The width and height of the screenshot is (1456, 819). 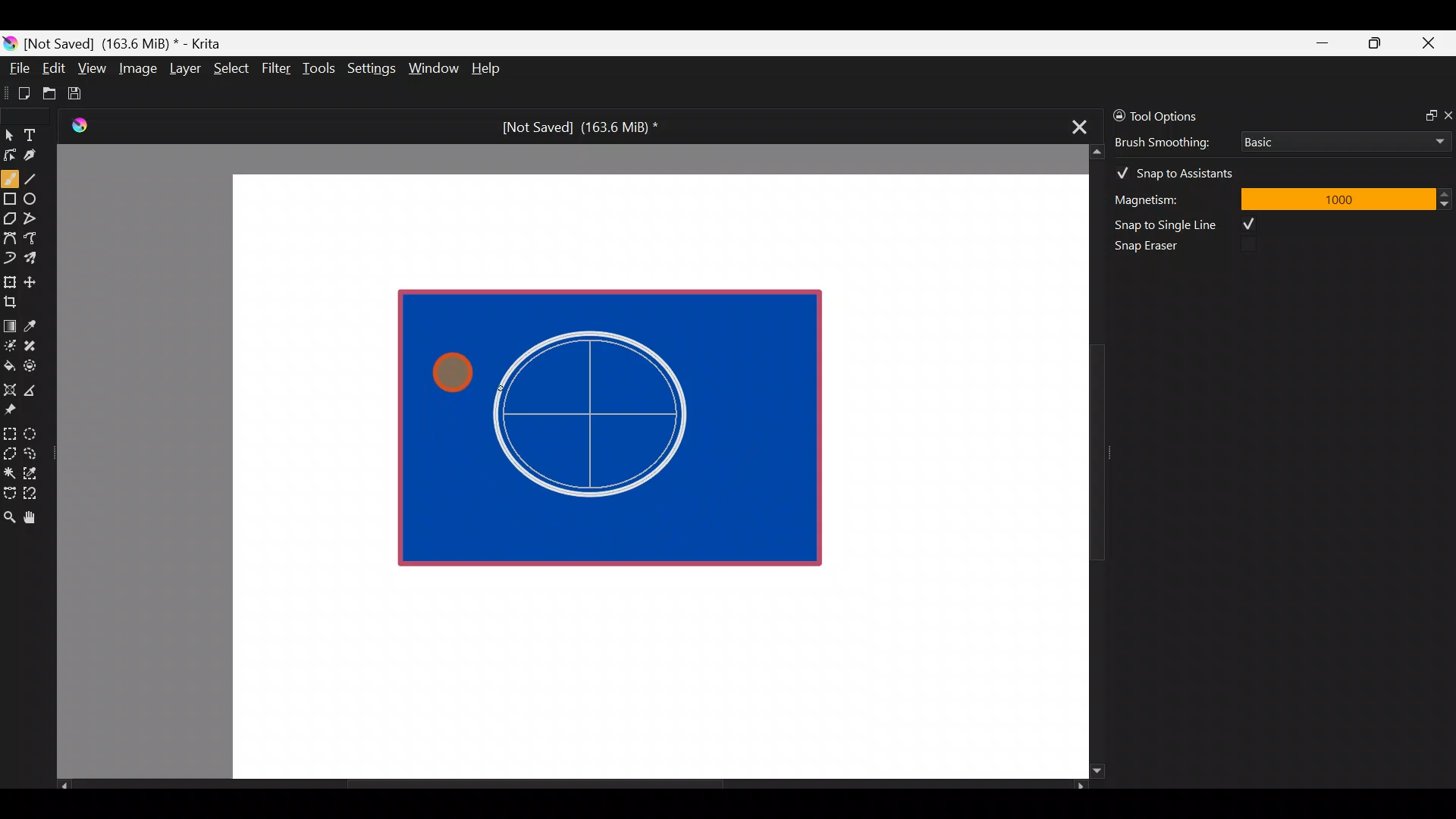 What do you see at coordinates (9, 469) in the screenshot?
I see `Contiguous selection tool` at bounding box center [9, 469].